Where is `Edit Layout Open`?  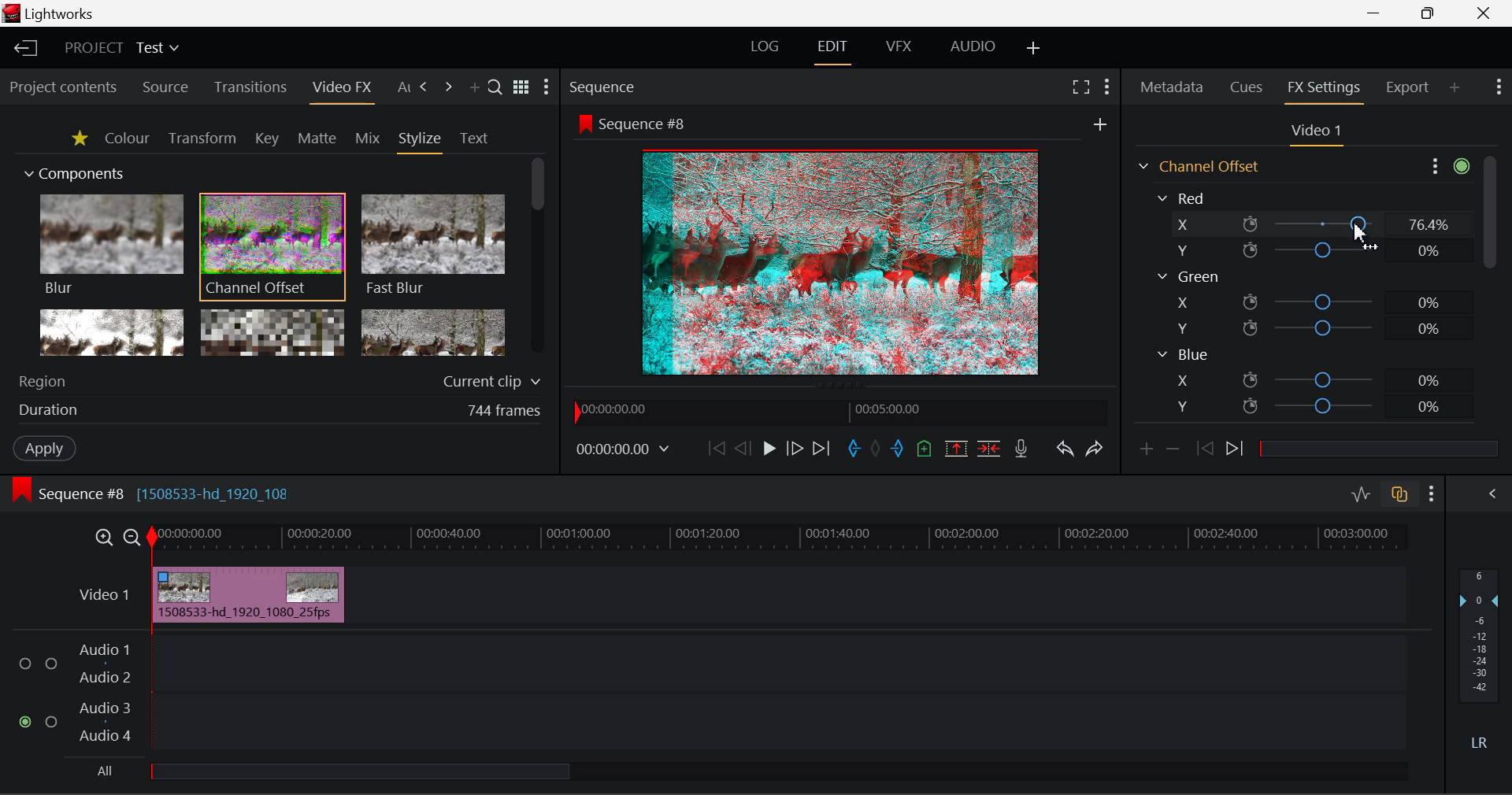 Edit Layout Open is located at coordinates (832, 52).